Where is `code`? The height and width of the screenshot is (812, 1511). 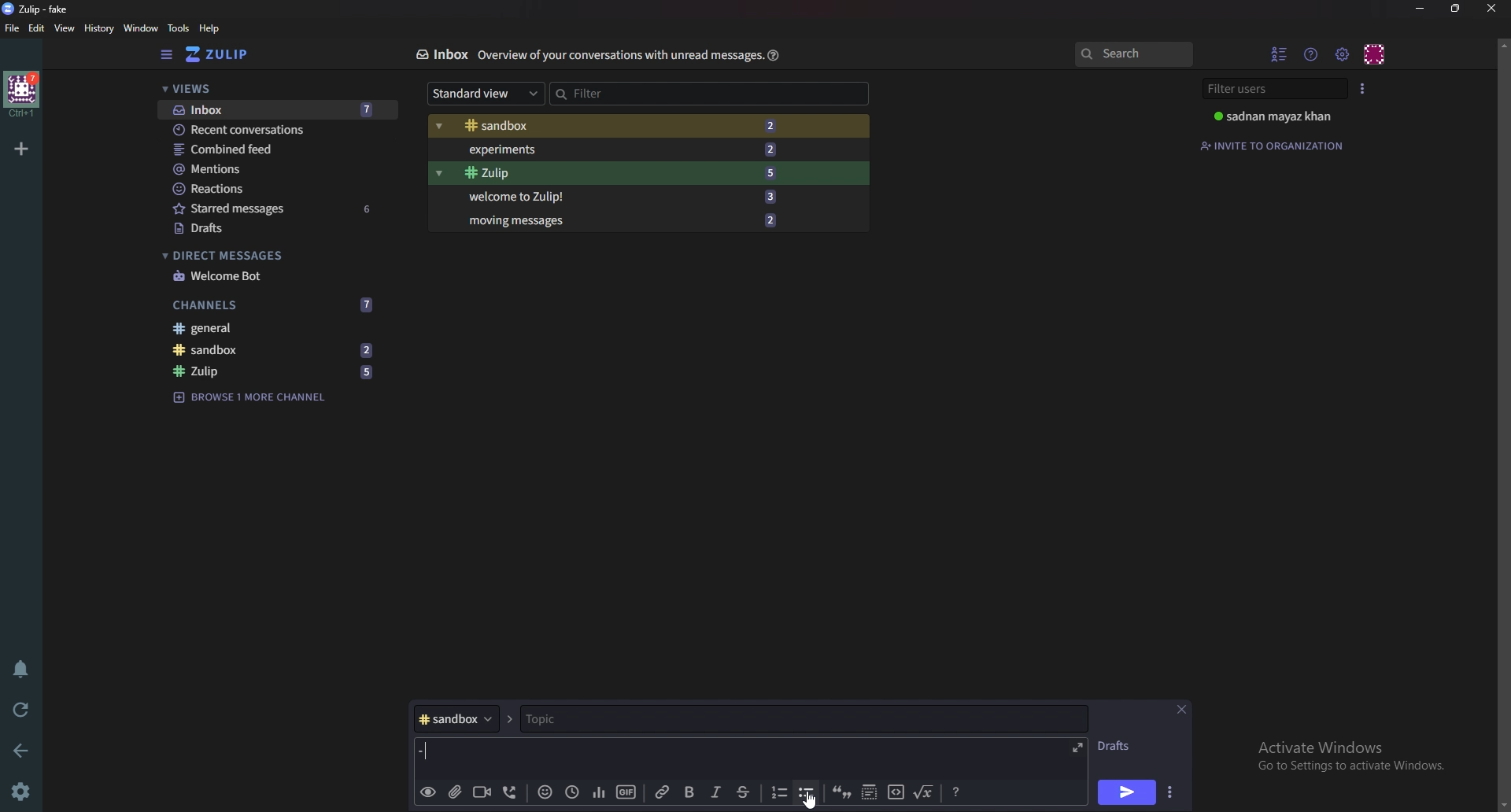
code is located at coordinates (896, 791).